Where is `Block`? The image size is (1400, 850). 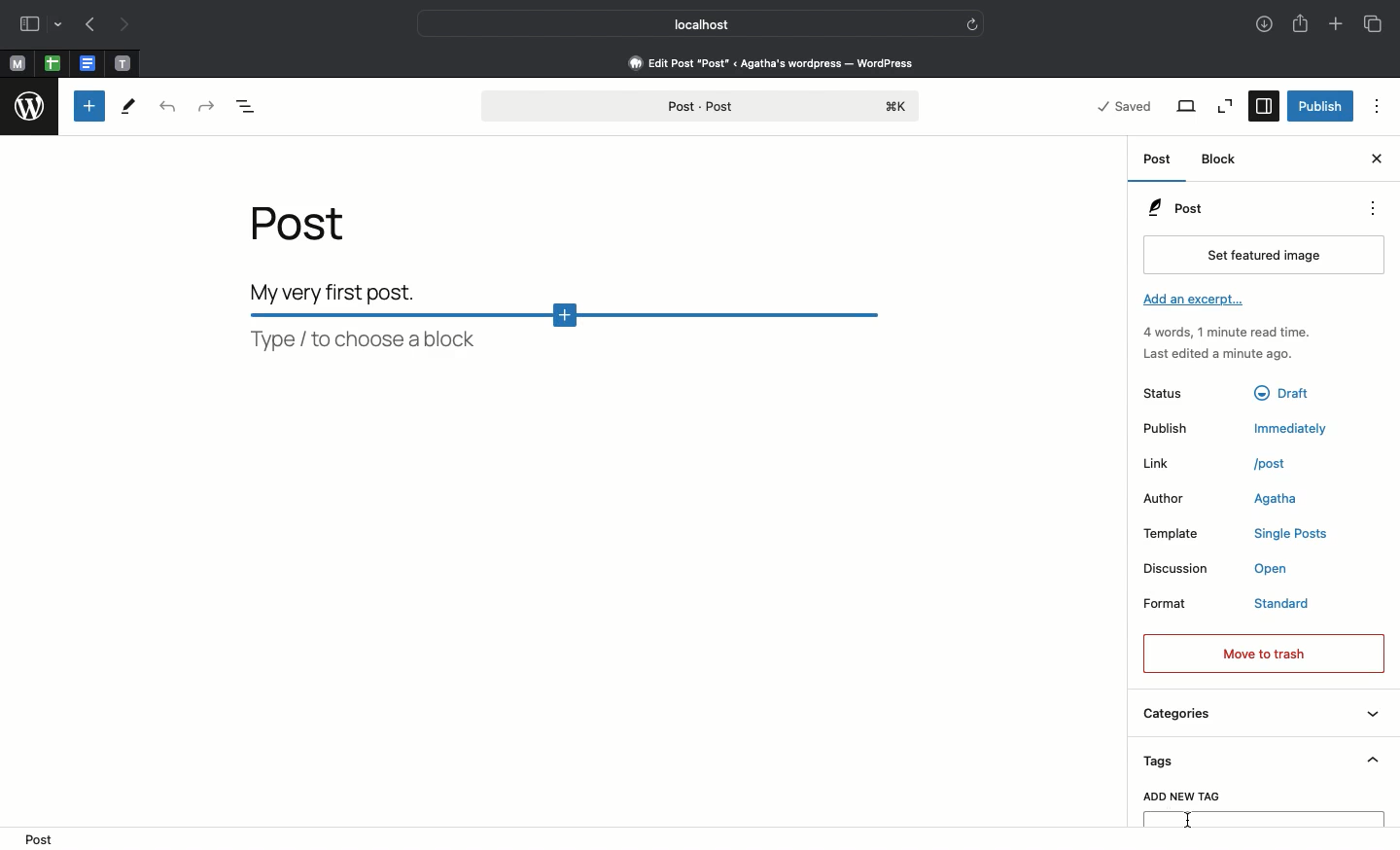 Block is located at coordinates (571, 331).